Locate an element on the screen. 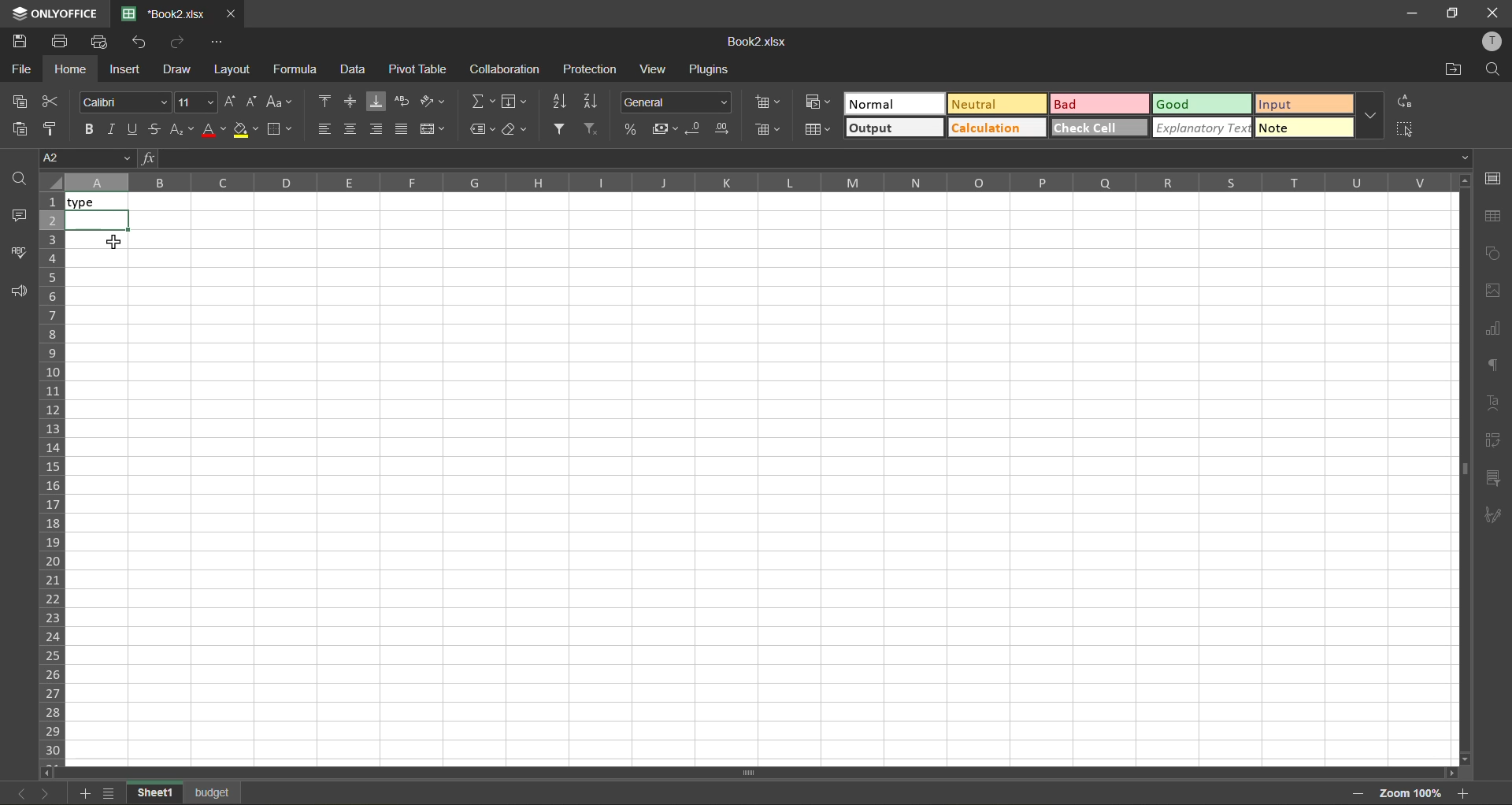 The height and width of the screenshot is (805, 1512). calculation is located at coordinates (995, 130).